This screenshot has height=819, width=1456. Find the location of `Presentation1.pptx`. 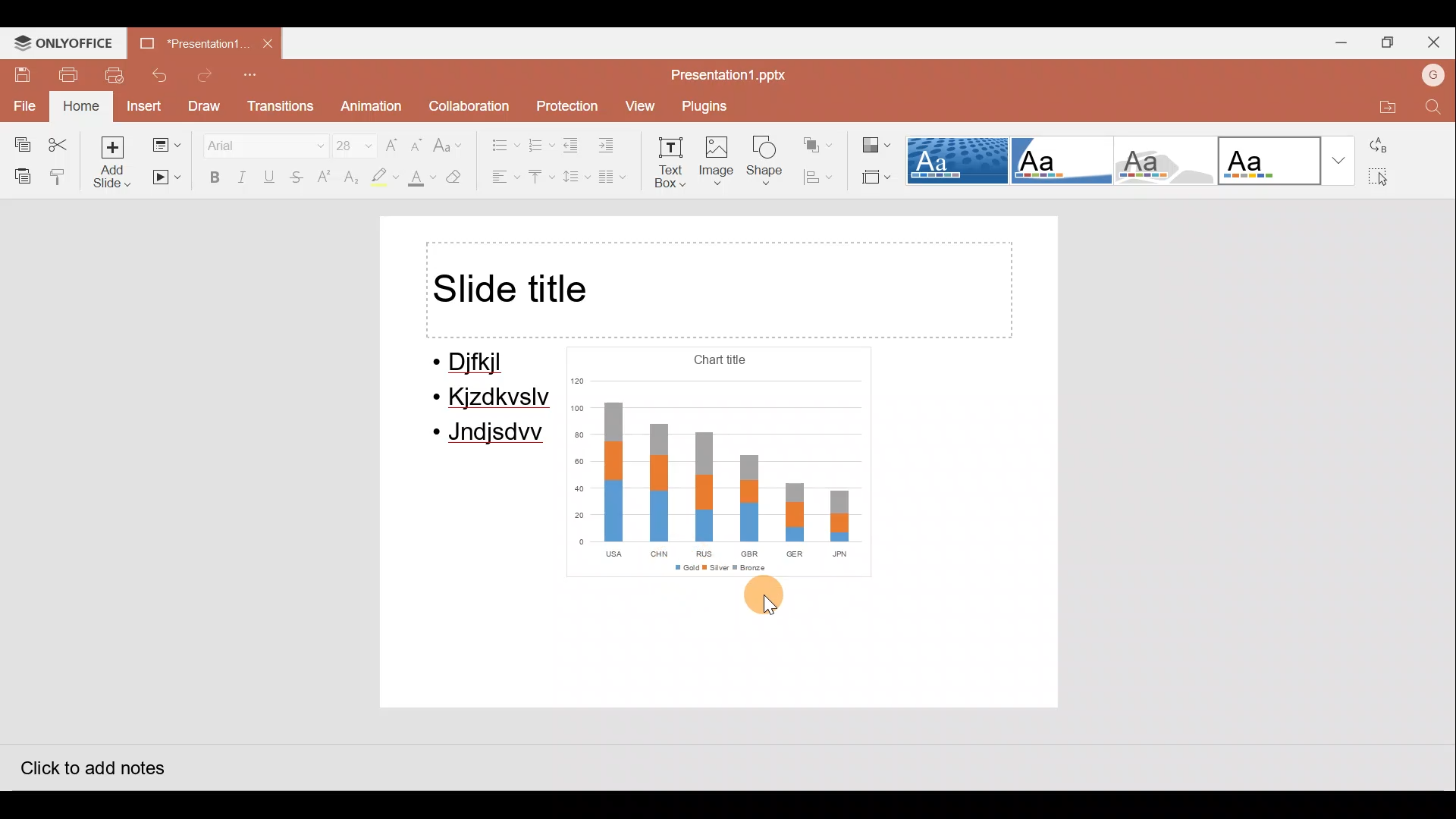

Presentation1.pptx is located at coordinates (725, 73).